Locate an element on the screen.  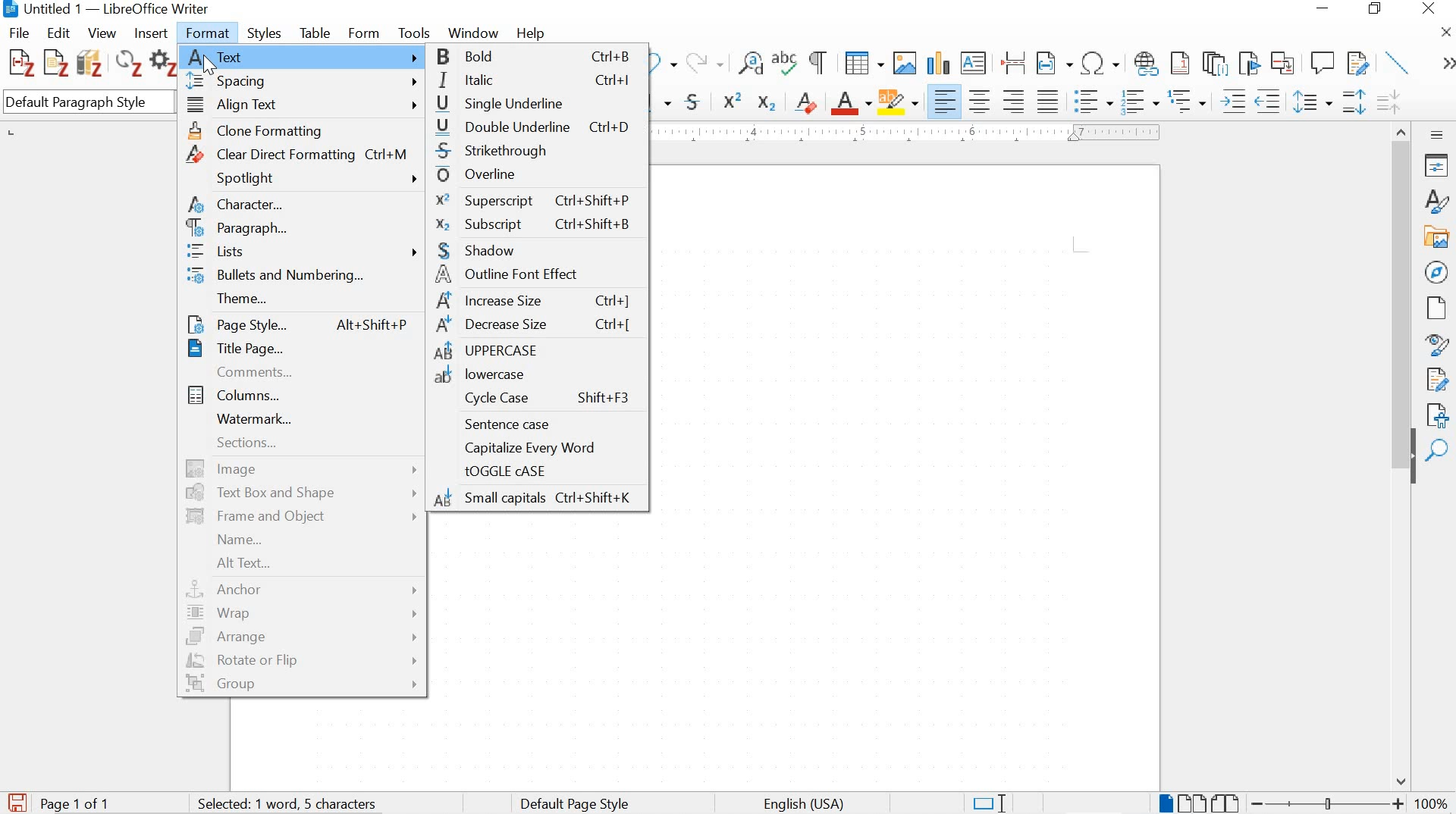
bullets and numbering is located at coordinates (303, 277).